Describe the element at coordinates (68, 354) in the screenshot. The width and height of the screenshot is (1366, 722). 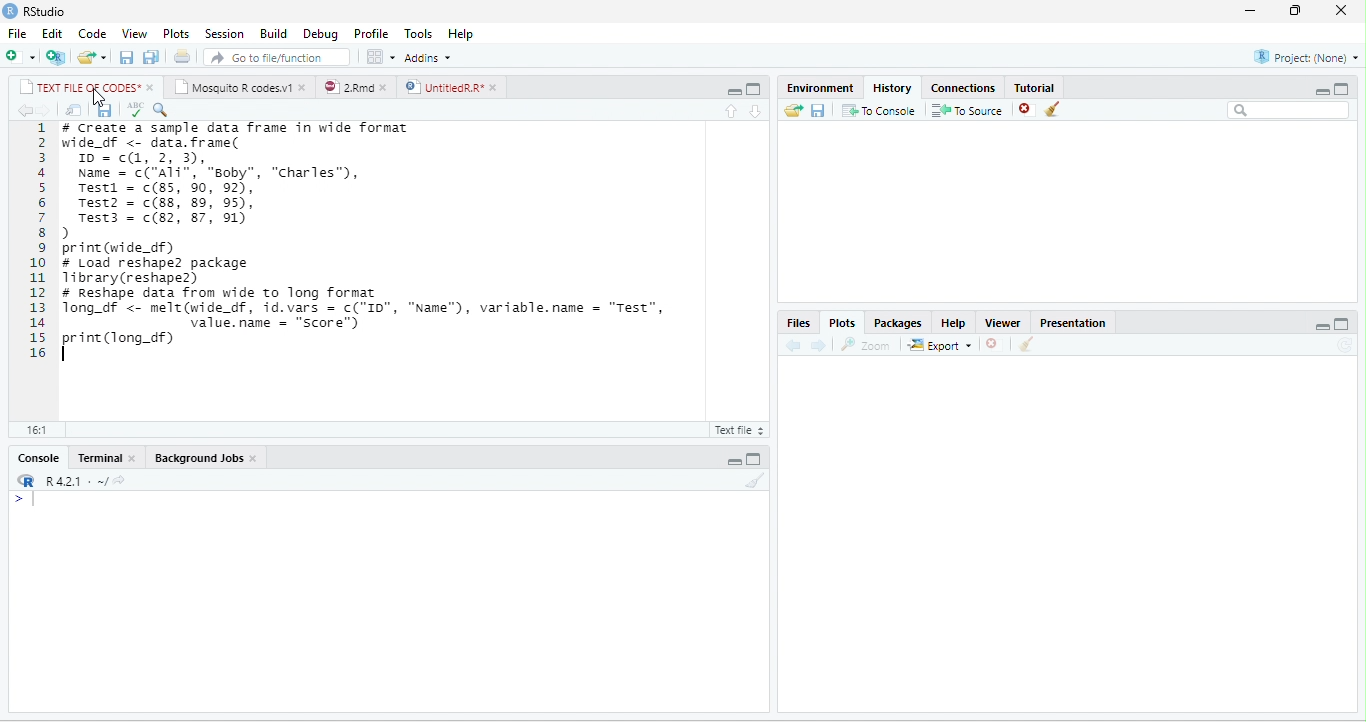
I see `typing cursor` at that location.